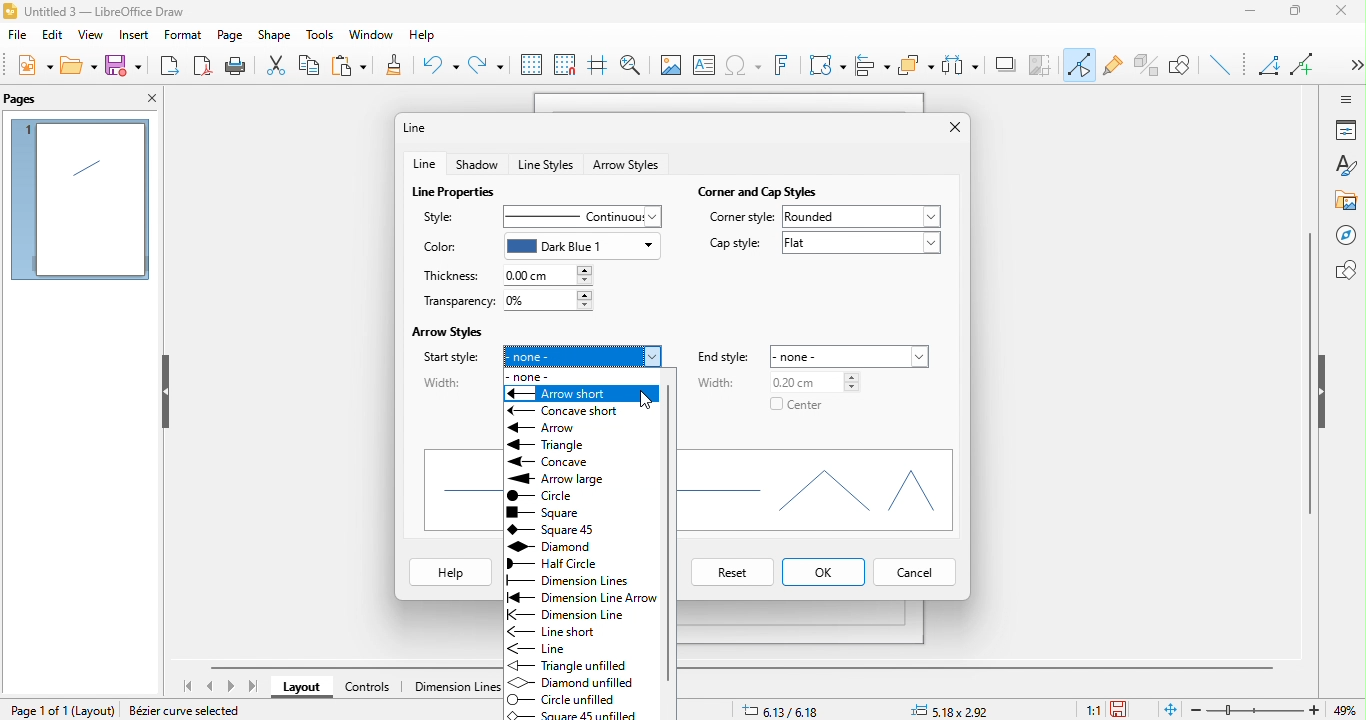 This screenshot has height=720, width=1366. I want to click on transformation, so click(827, 65).